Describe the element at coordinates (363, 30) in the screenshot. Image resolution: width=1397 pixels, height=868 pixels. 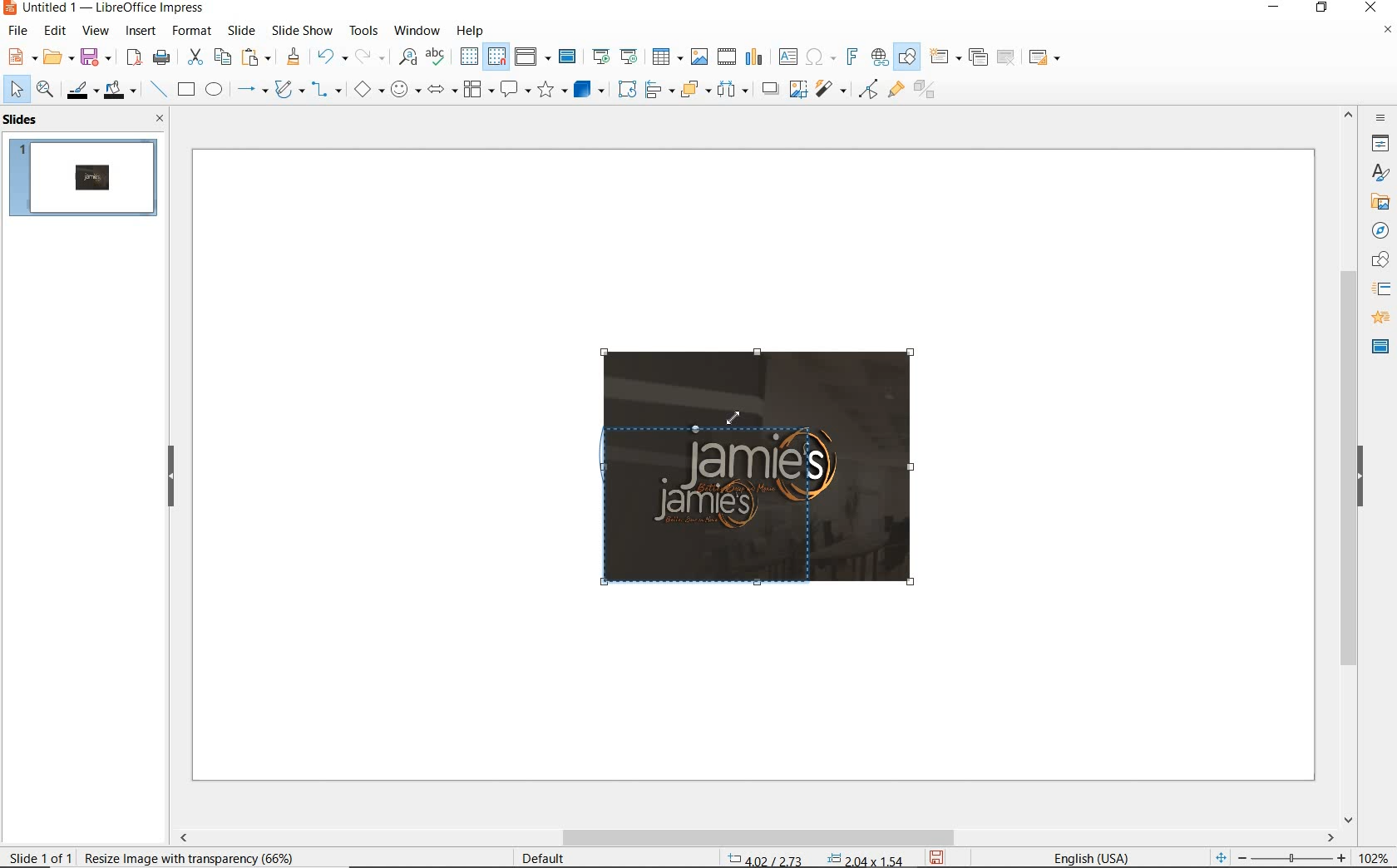
I see `tools` at that location.